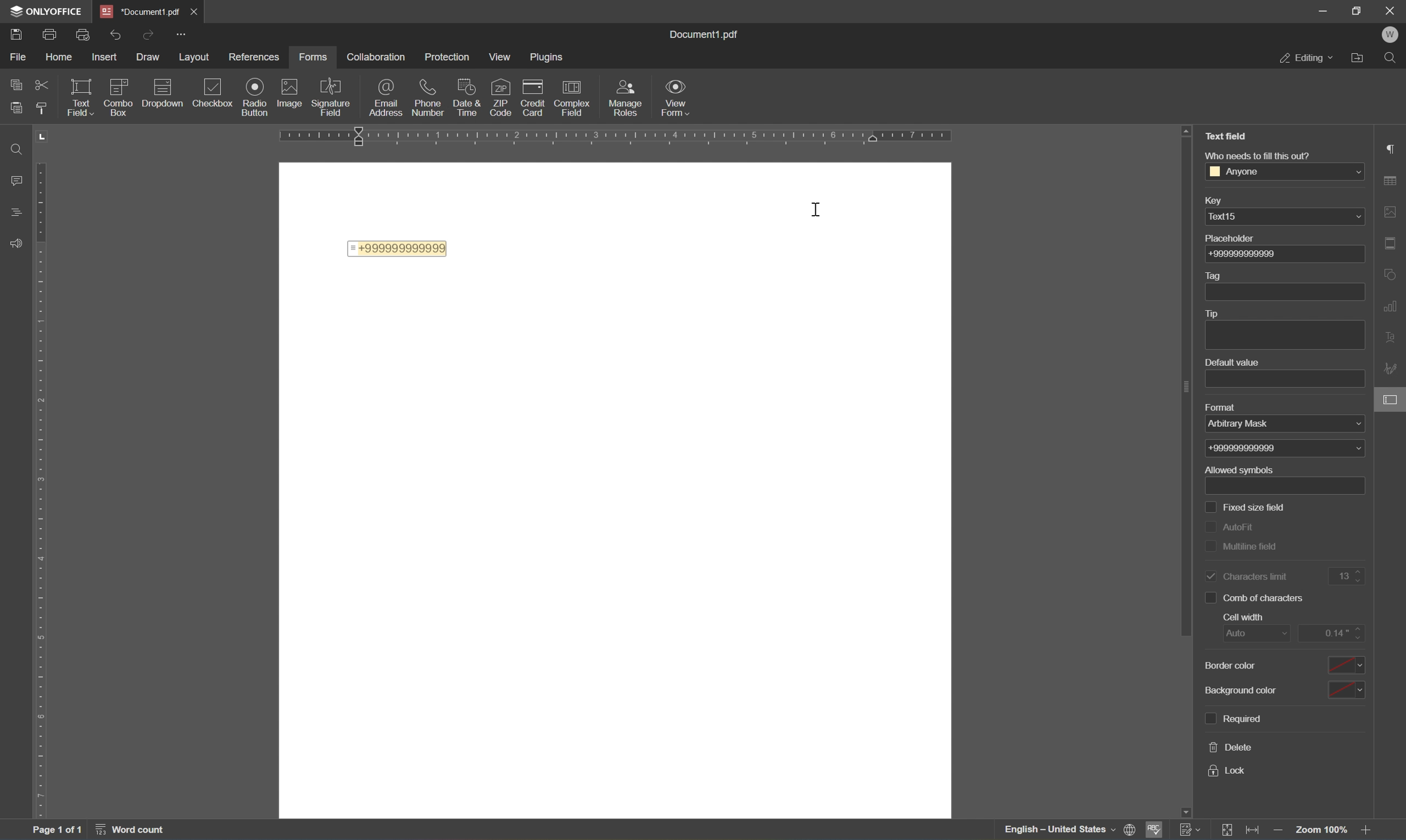  I want to click on plugins, so click(546, 57).